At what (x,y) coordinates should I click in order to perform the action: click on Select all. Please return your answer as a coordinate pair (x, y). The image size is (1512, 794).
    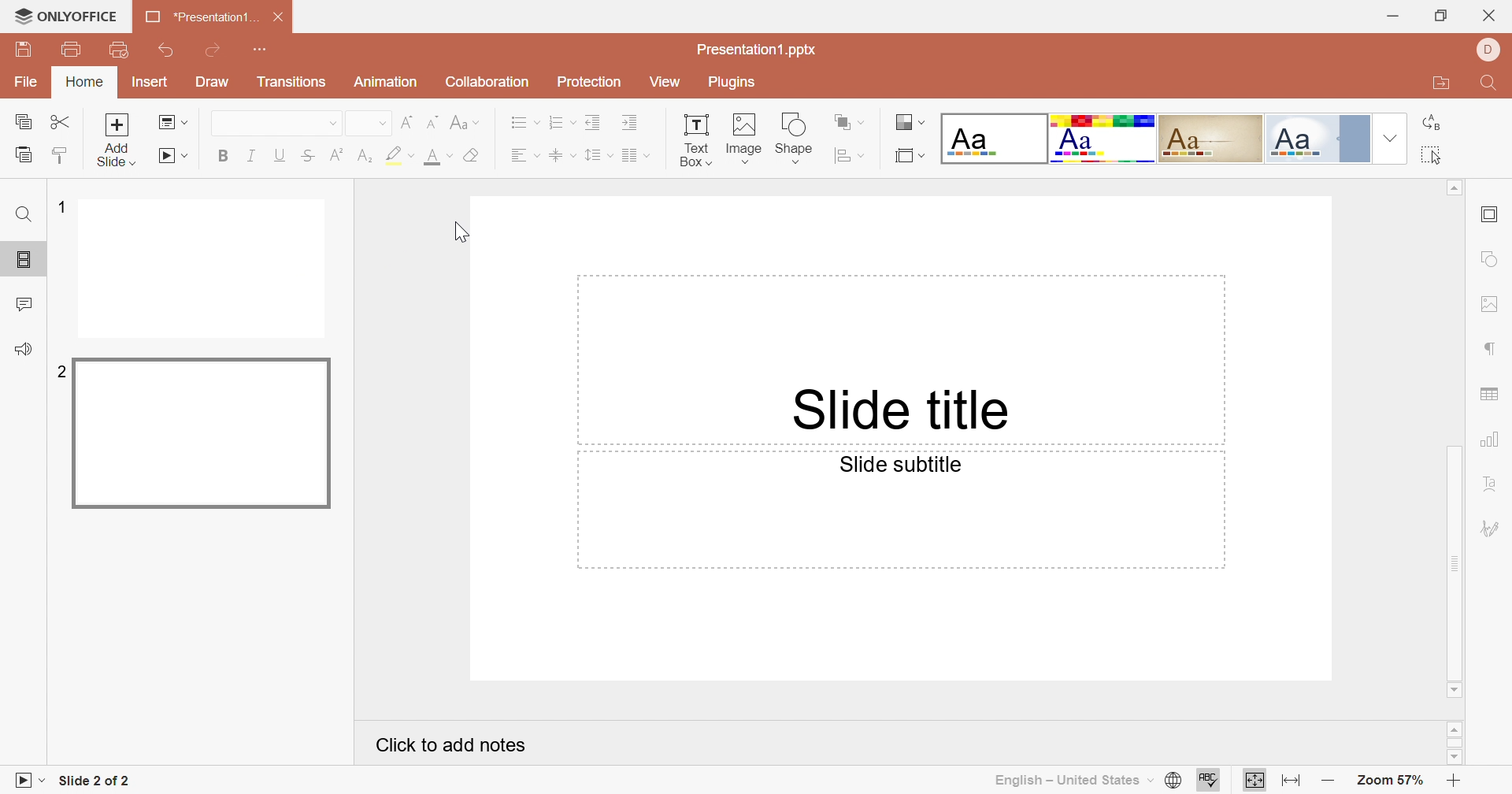
    Looking at the image, I should click on (1435, 157).